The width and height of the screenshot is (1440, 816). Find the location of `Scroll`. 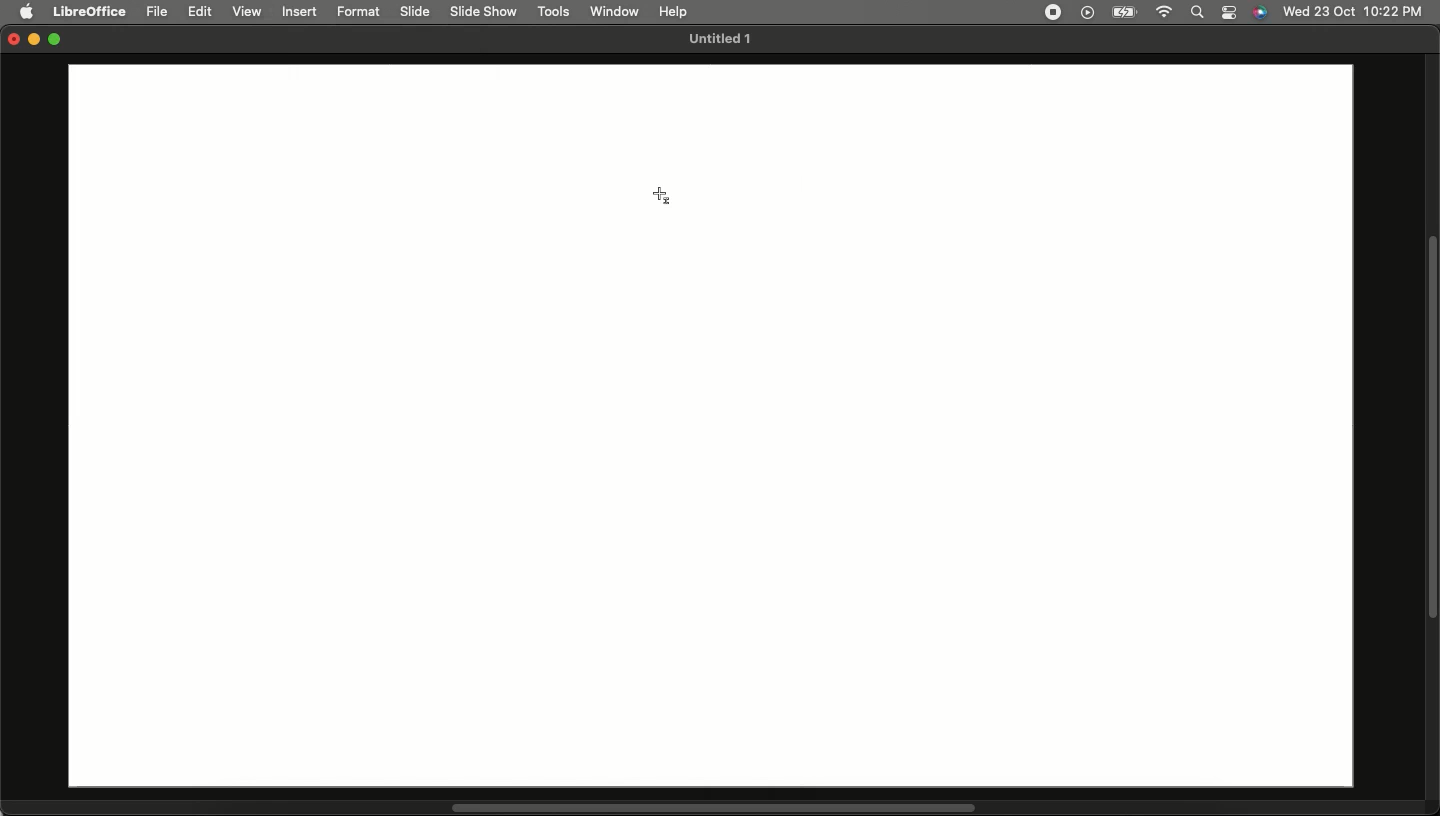

Scroll is located at coordinates (714, 808).